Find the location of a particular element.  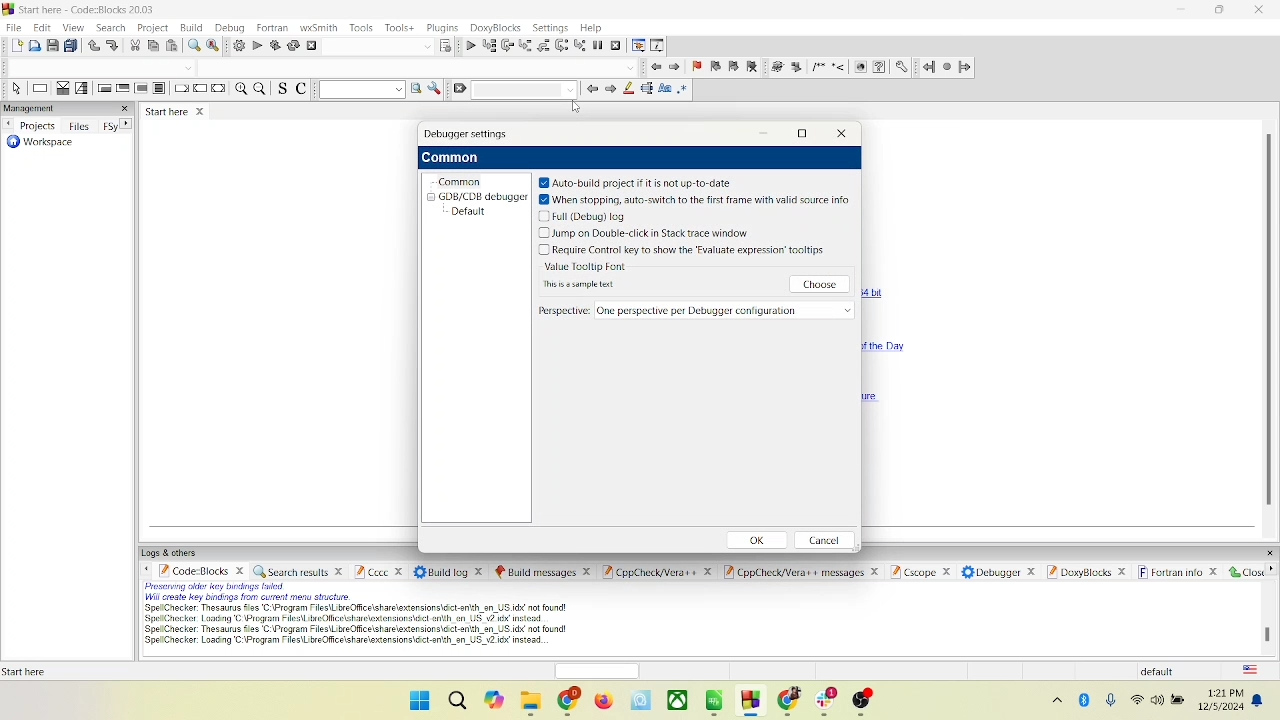

doxyblocks is located at coordinates (1089, 572).